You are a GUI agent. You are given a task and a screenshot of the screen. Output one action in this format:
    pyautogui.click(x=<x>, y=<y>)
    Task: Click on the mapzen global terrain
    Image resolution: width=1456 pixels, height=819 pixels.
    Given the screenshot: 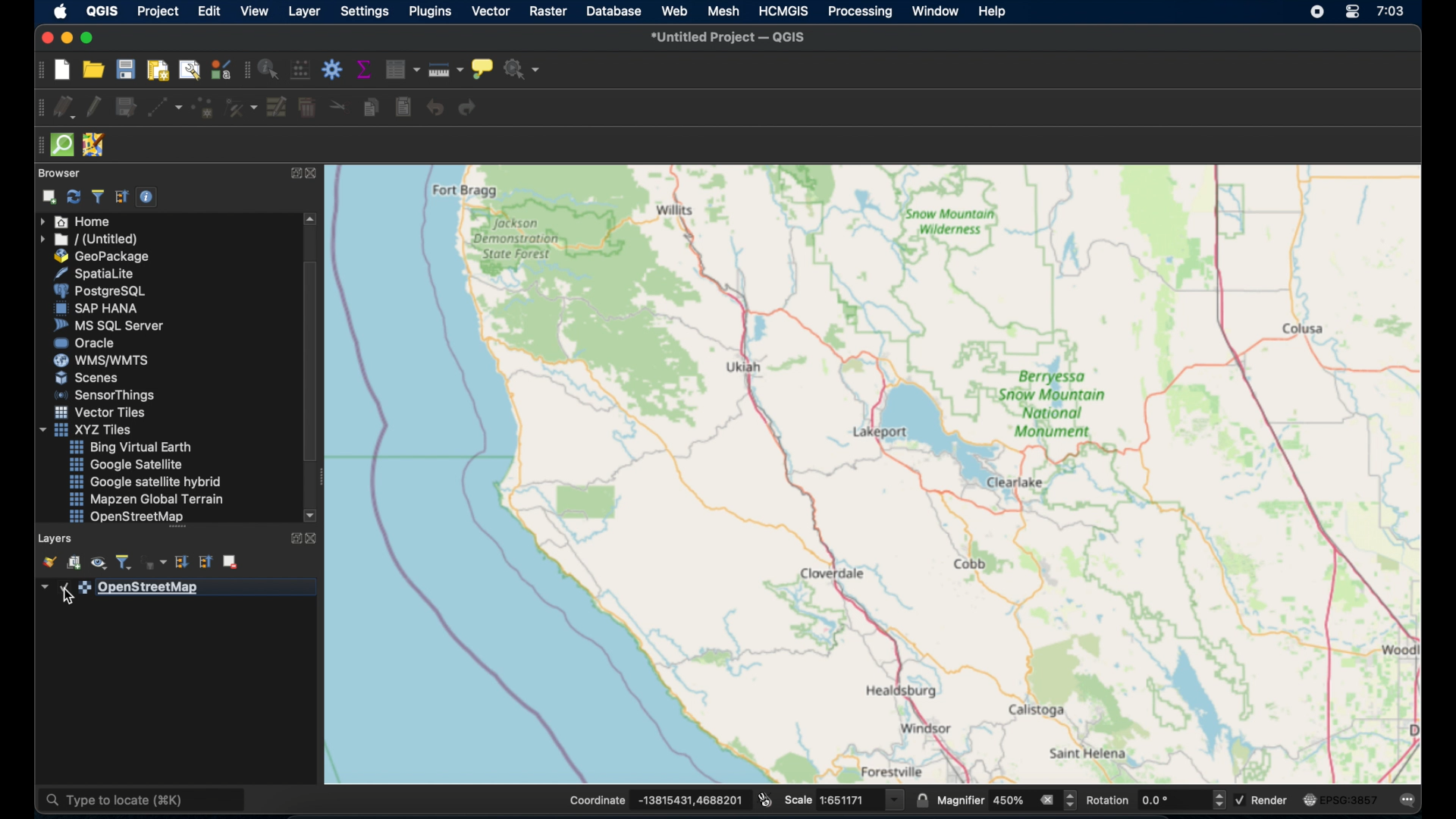 What is the action you would take?
    pyautogui.click(x=148, y=499)
    